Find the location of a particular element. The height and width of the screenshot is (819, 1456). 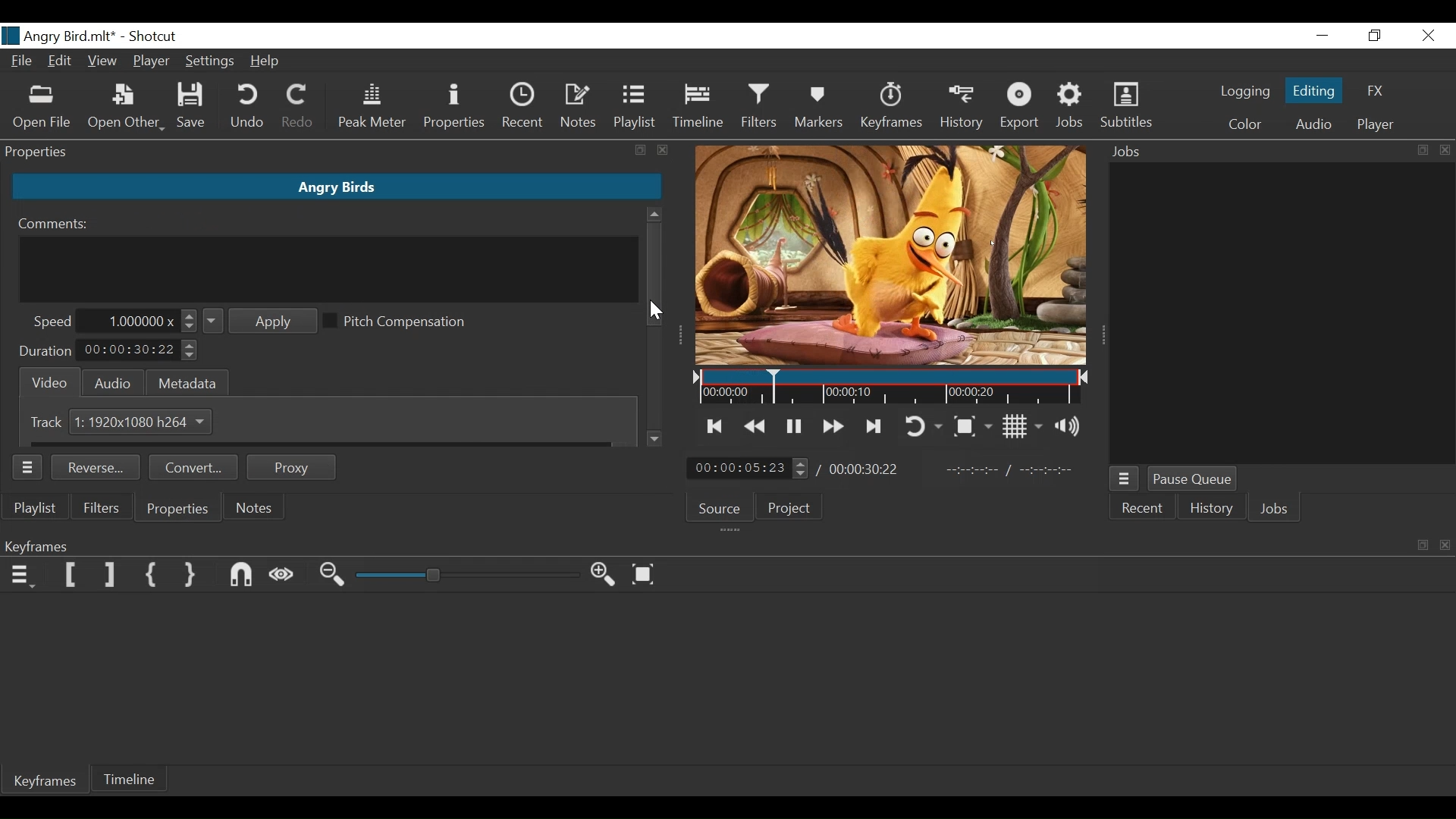

Help is located at coordinates (266, 61).